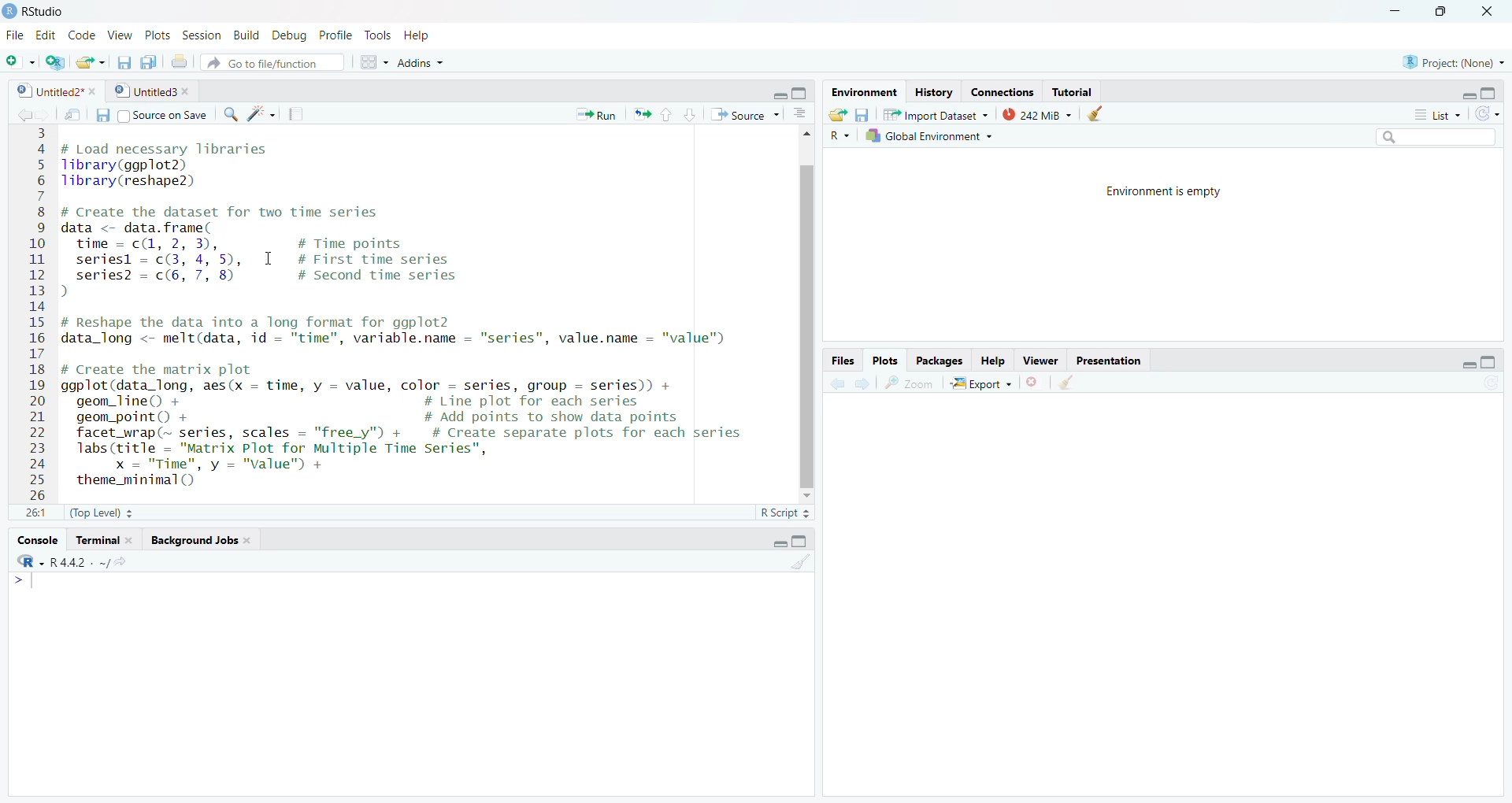  What do you see at coordinates (144, 92) in the screenshot?
I see `Untitled3` at bounding box center [144, 92].